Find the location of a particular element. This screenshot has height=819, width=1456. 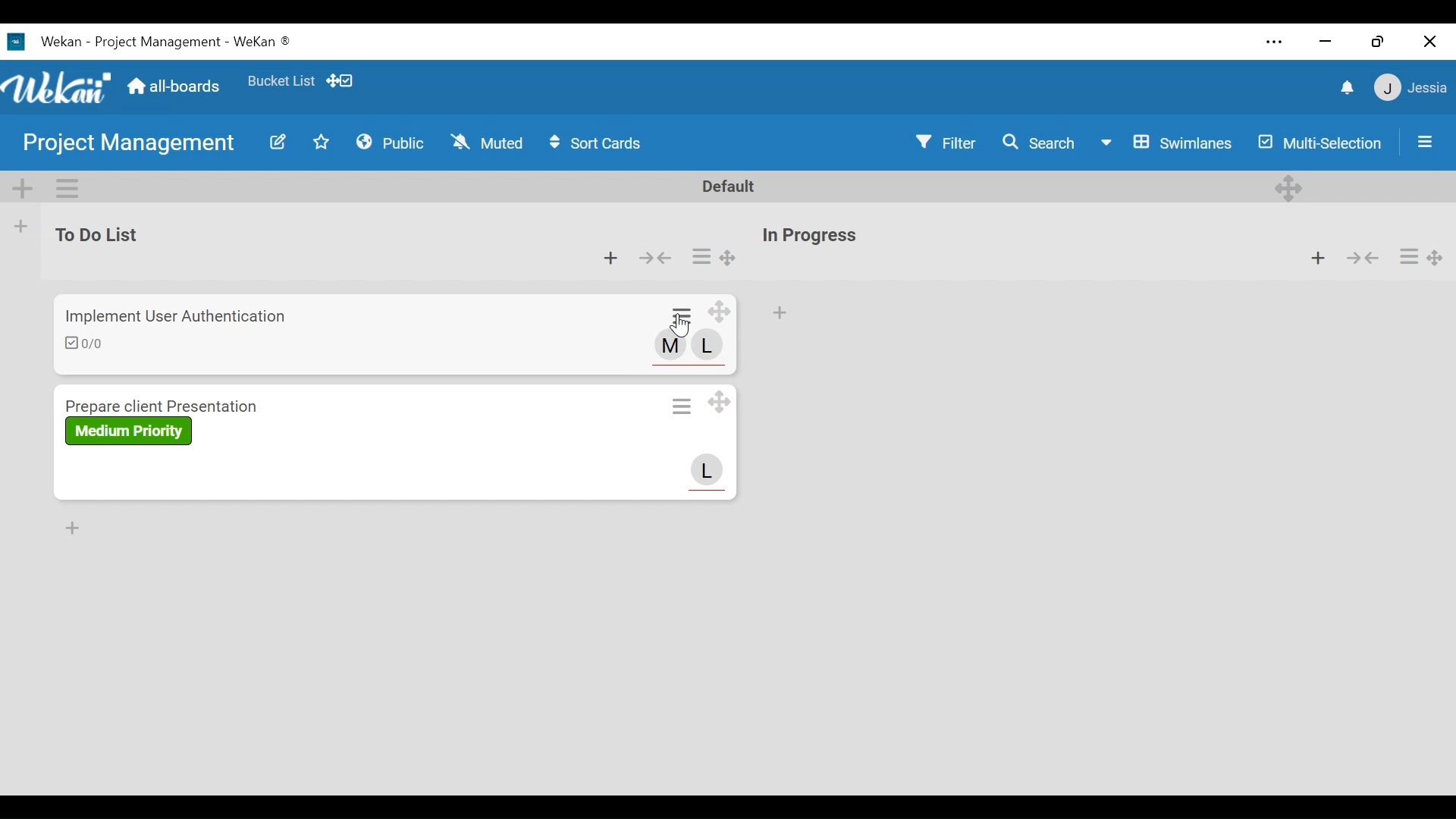

Member Settings is located at coordinates (1411, 87).